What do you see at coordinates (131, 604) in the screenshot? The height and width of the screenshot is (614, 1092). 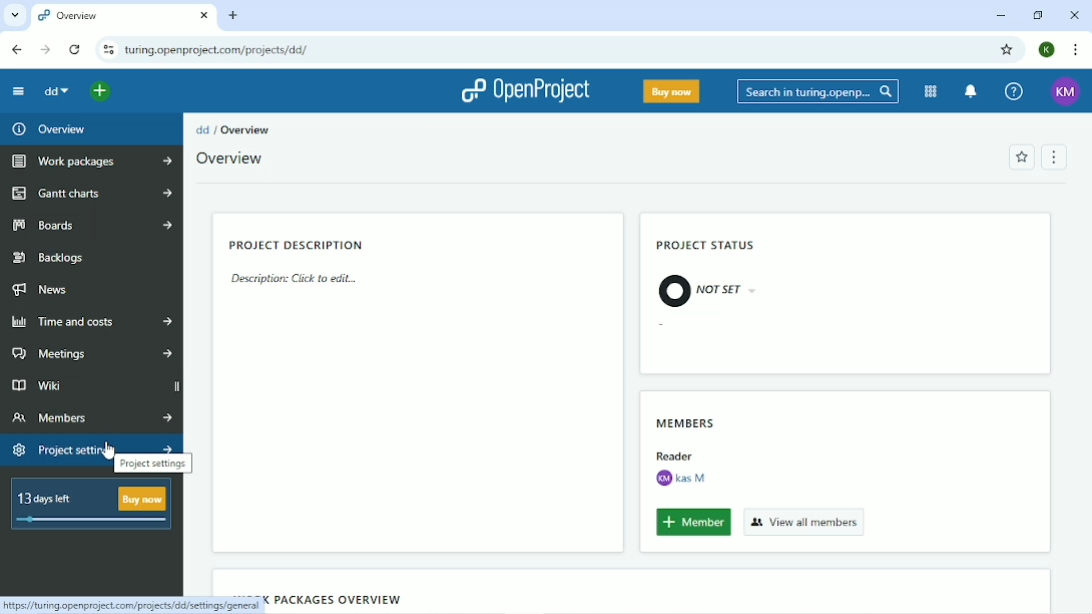 I see `https://turing.openprojects.com/projects/dd/settings/general` at bounding box center [131, 604].